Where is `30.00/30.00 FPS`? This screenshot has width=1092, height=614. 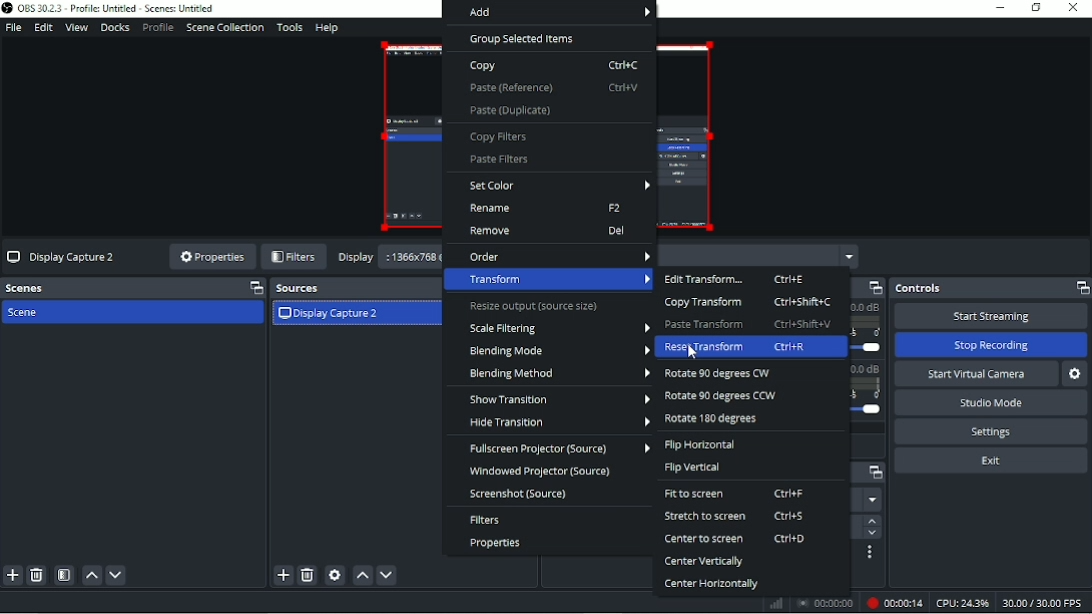
30.00/30.00 FPS is located at coordinates (1044, 603).